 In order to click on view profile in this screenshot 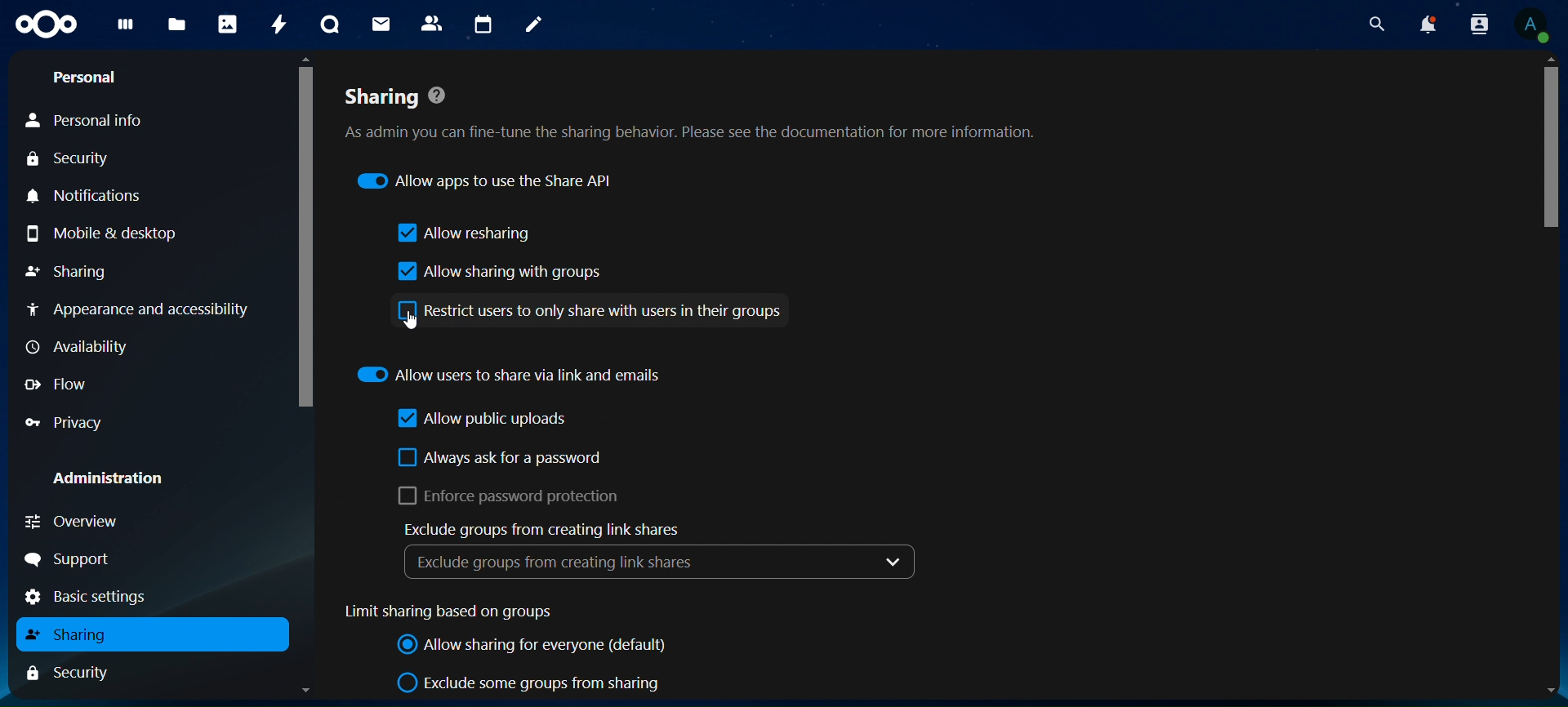, I will do `click(1542, 27)`.